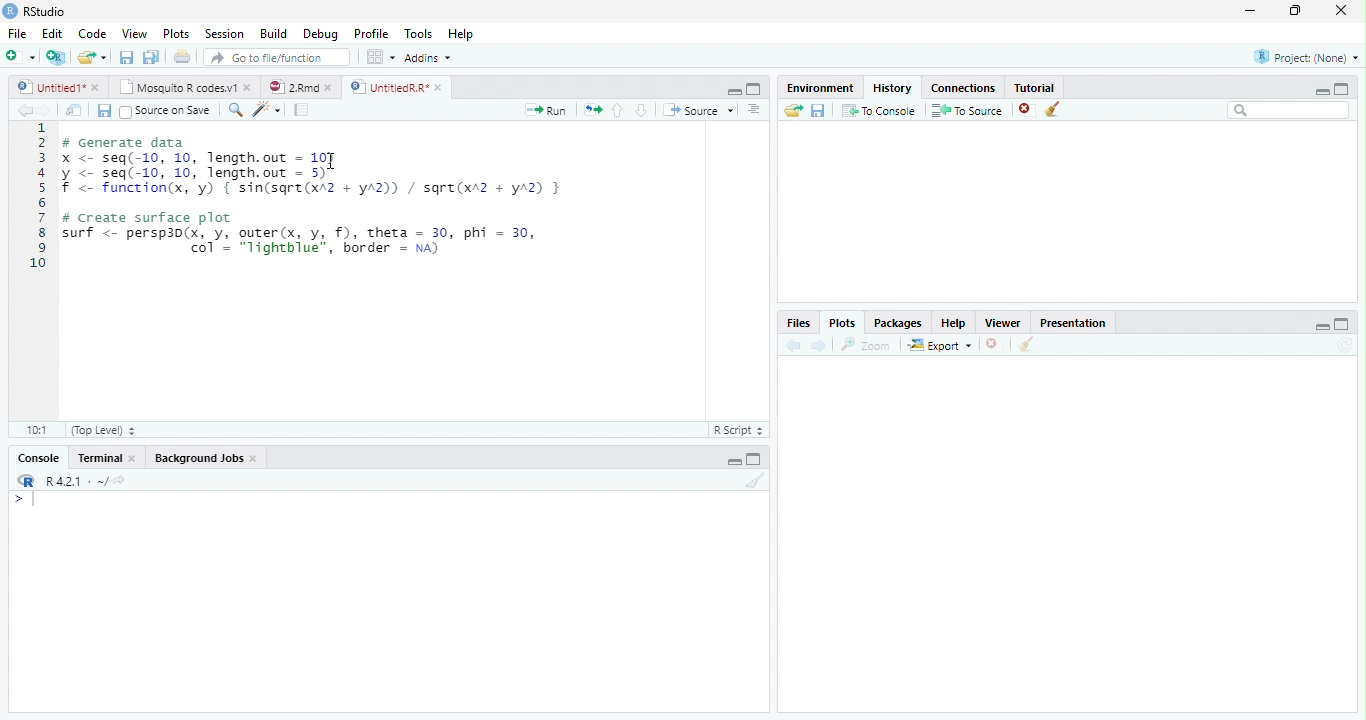 The height and width of the screenshot is (720, 1366). Describe the element at coordinates (125, 56) in the screenshot. I see `Save current document` at that location.